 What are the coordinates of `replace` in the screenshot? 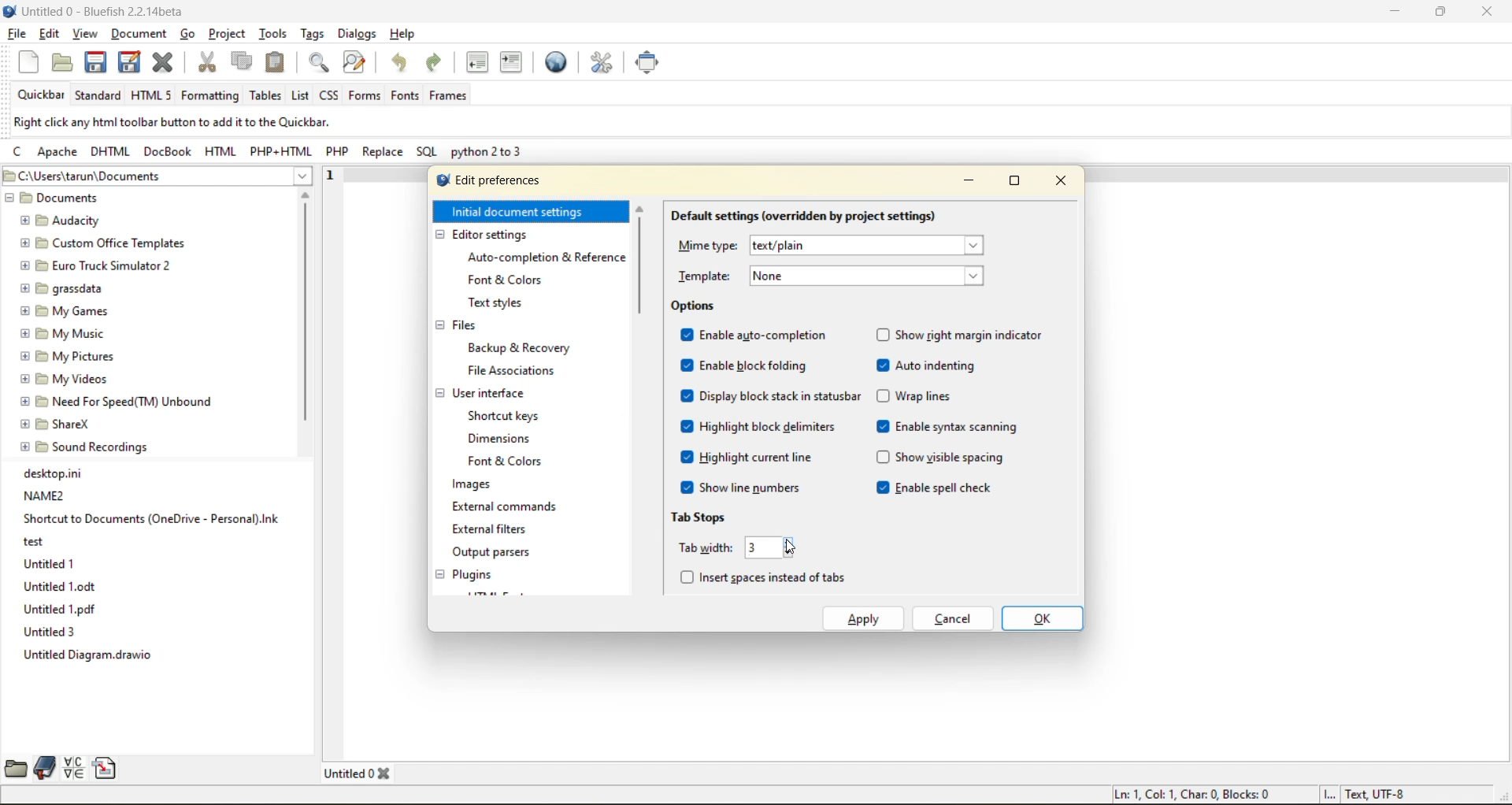 It's located at (387, 154).